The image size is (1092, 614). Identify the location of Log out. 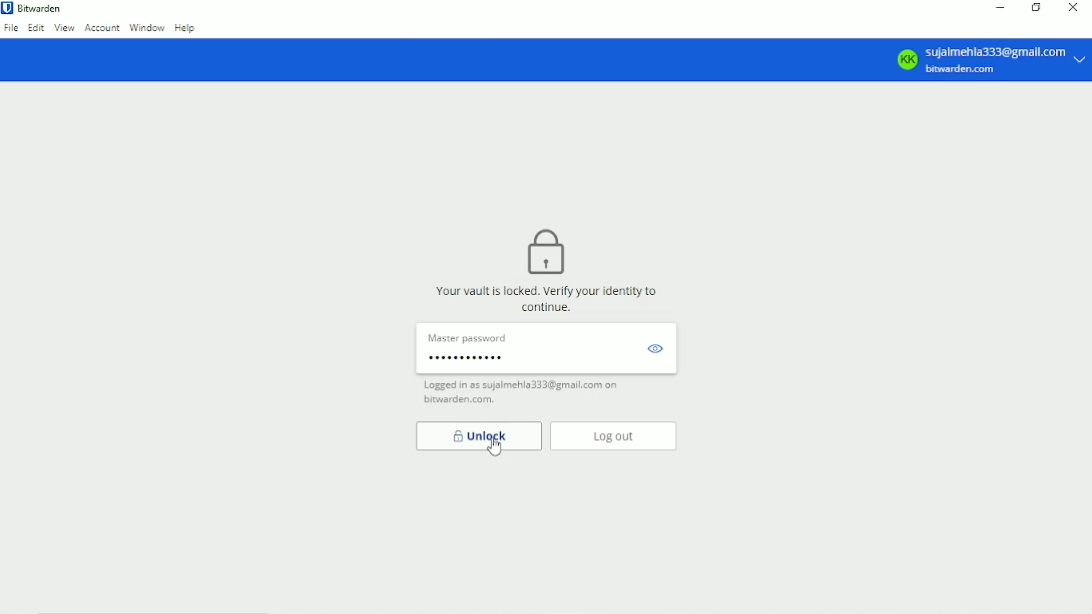
(613, 436).